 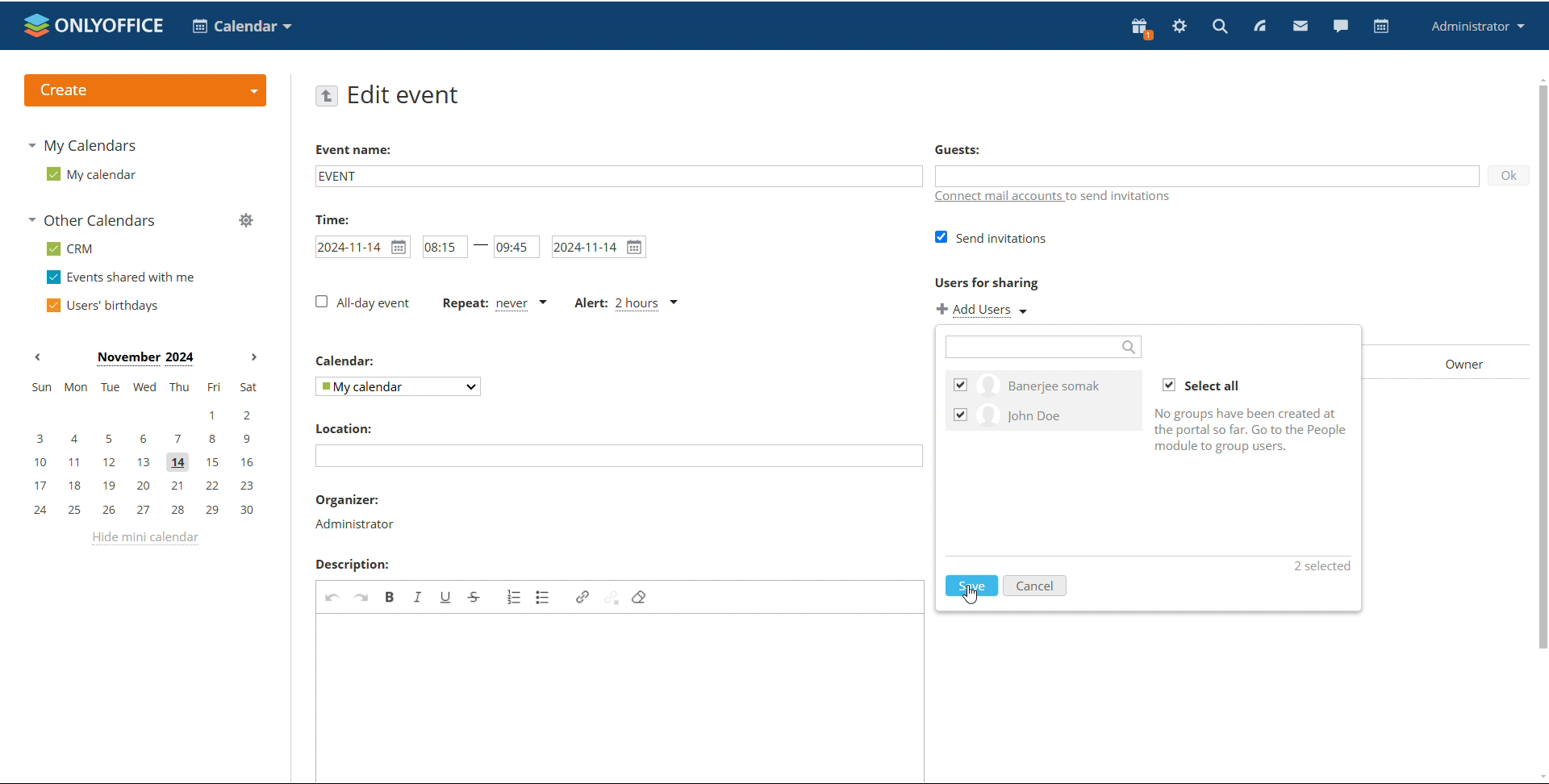 What do you see at coordinates (357, 525) in the screenshot?
I see `organizer` at bounding box center [357, 525].